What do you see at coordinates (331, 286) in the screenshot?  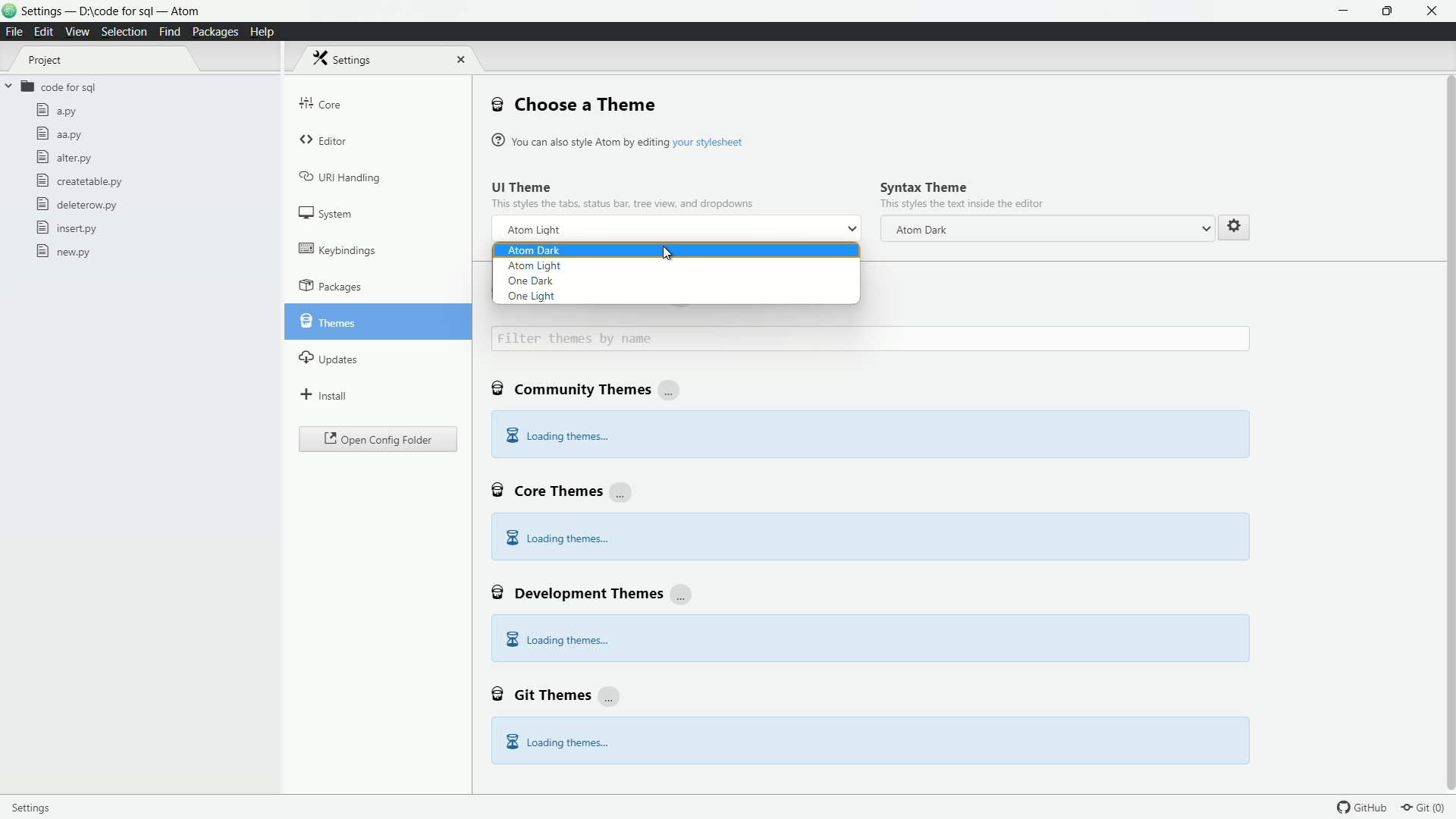 I see `packages` at bounding box center [331, 286].